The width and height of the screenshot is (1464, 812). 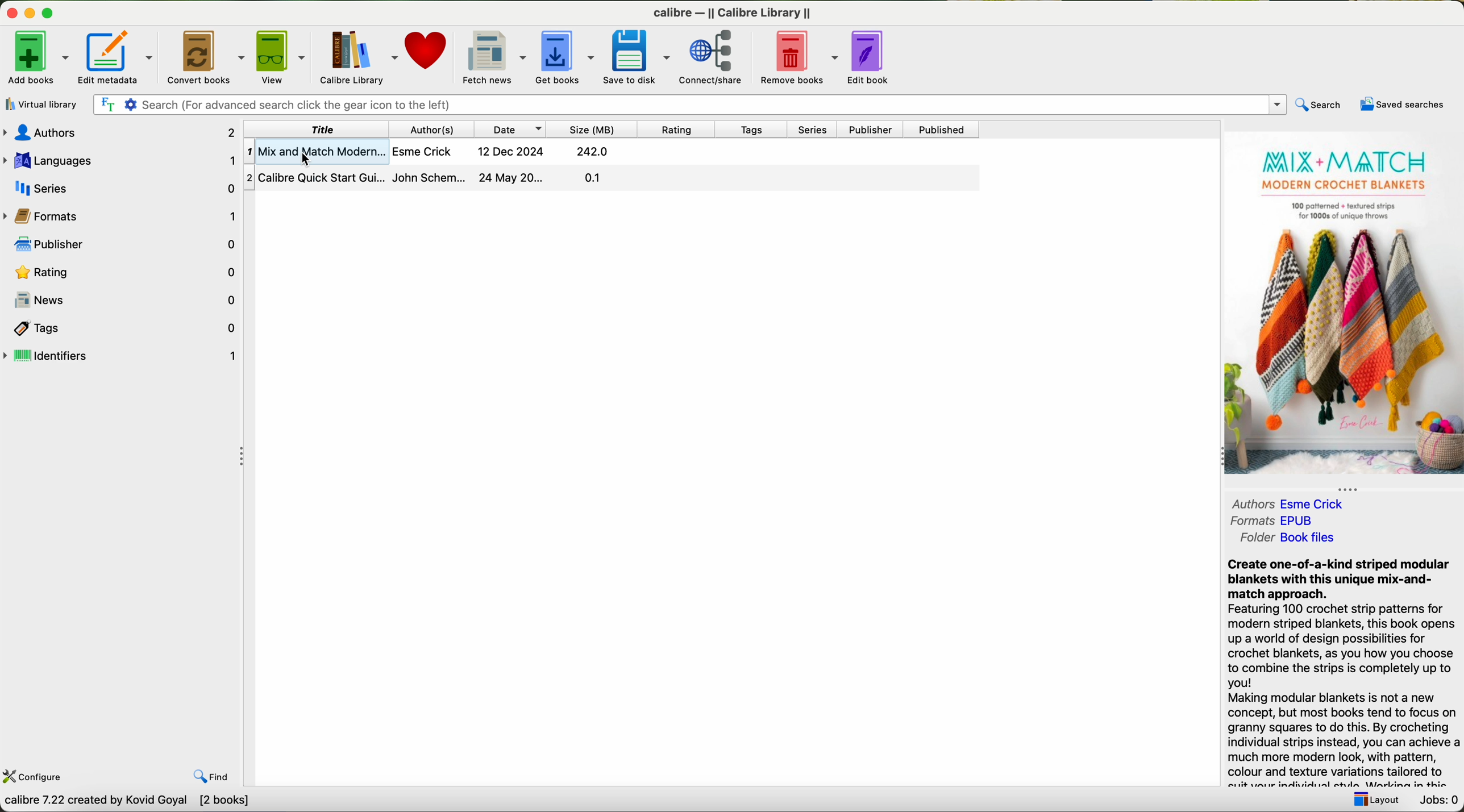 What do you see at coordinates (12, 13) in the screenshot?
I see `close program` at bounding box center [12, 13].